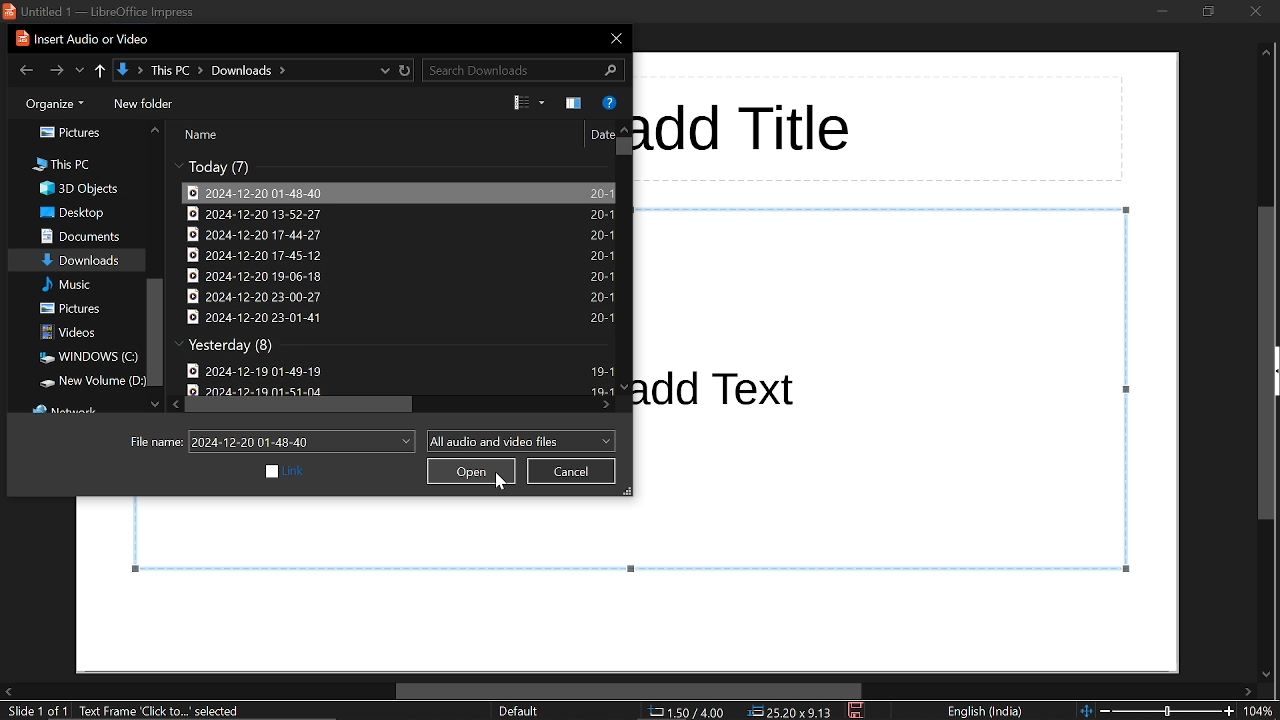 The image size is (1280, 720). What do you see at coordinates (572, 471) in the screenshot?
I see `cancel` at bounding box center [572, 471].